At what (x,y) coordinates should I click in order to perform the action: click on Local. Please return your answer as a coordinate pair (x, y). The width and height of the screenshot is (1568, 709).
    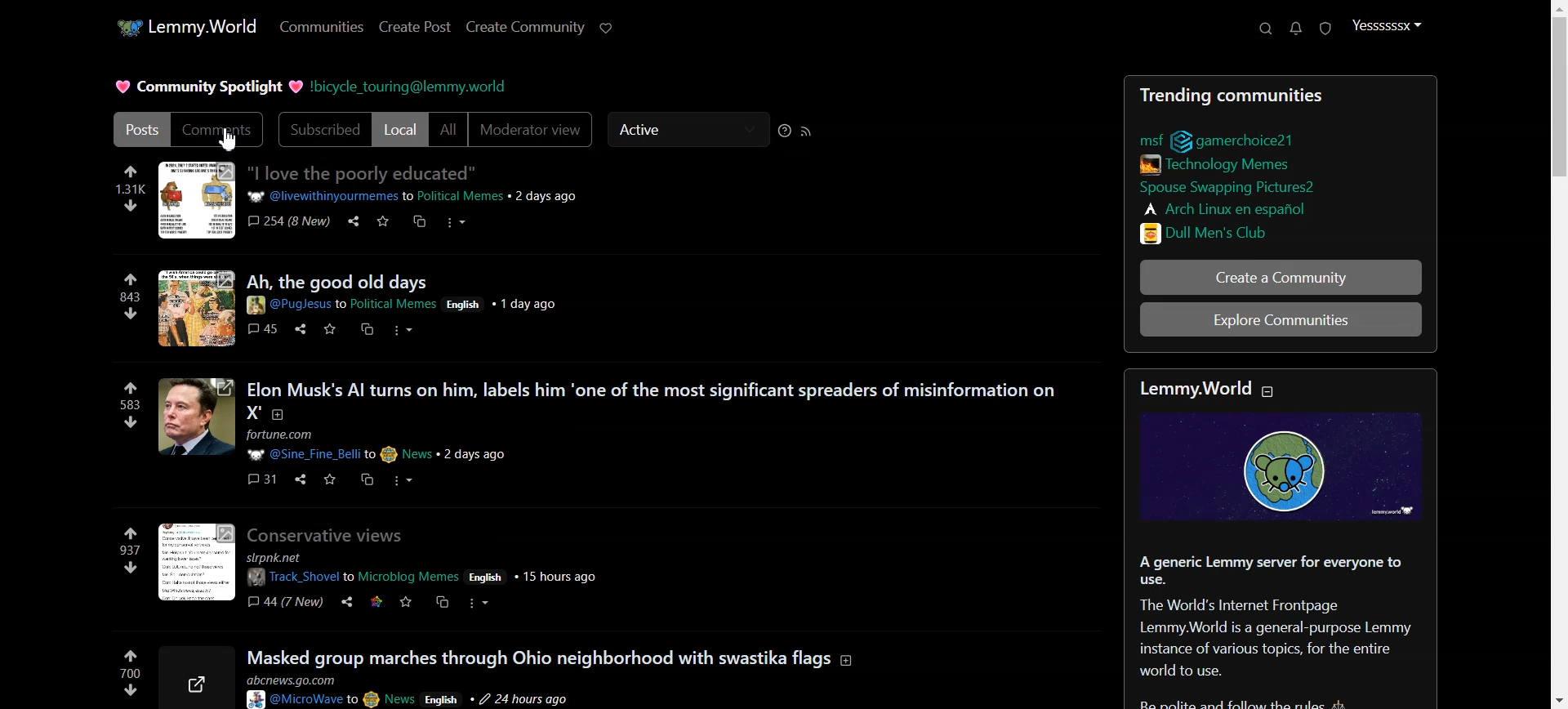
    Looking at the image, I should click on (400, 130).